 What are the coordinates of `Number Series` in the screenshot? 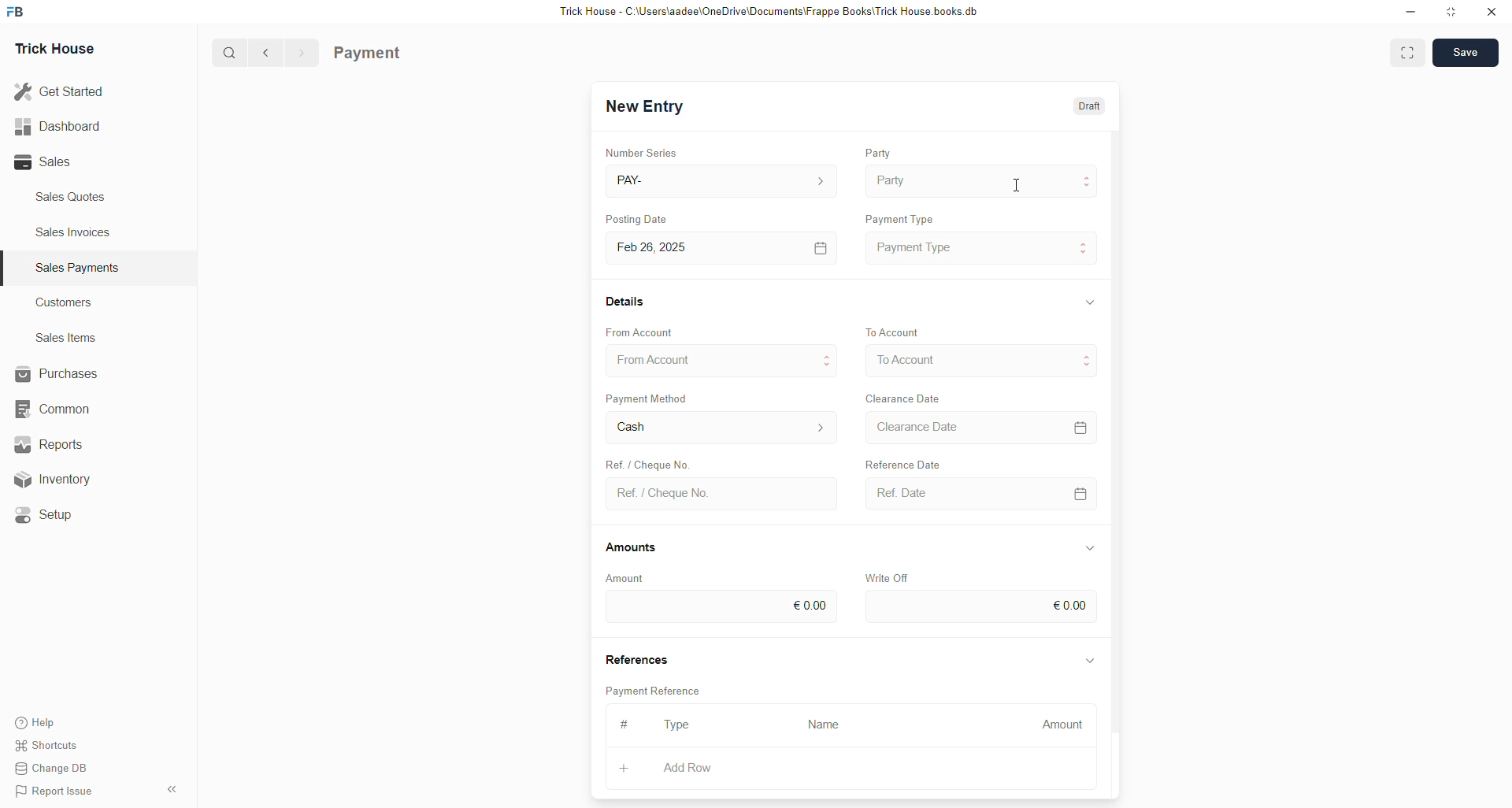 It's located at (642, 152).